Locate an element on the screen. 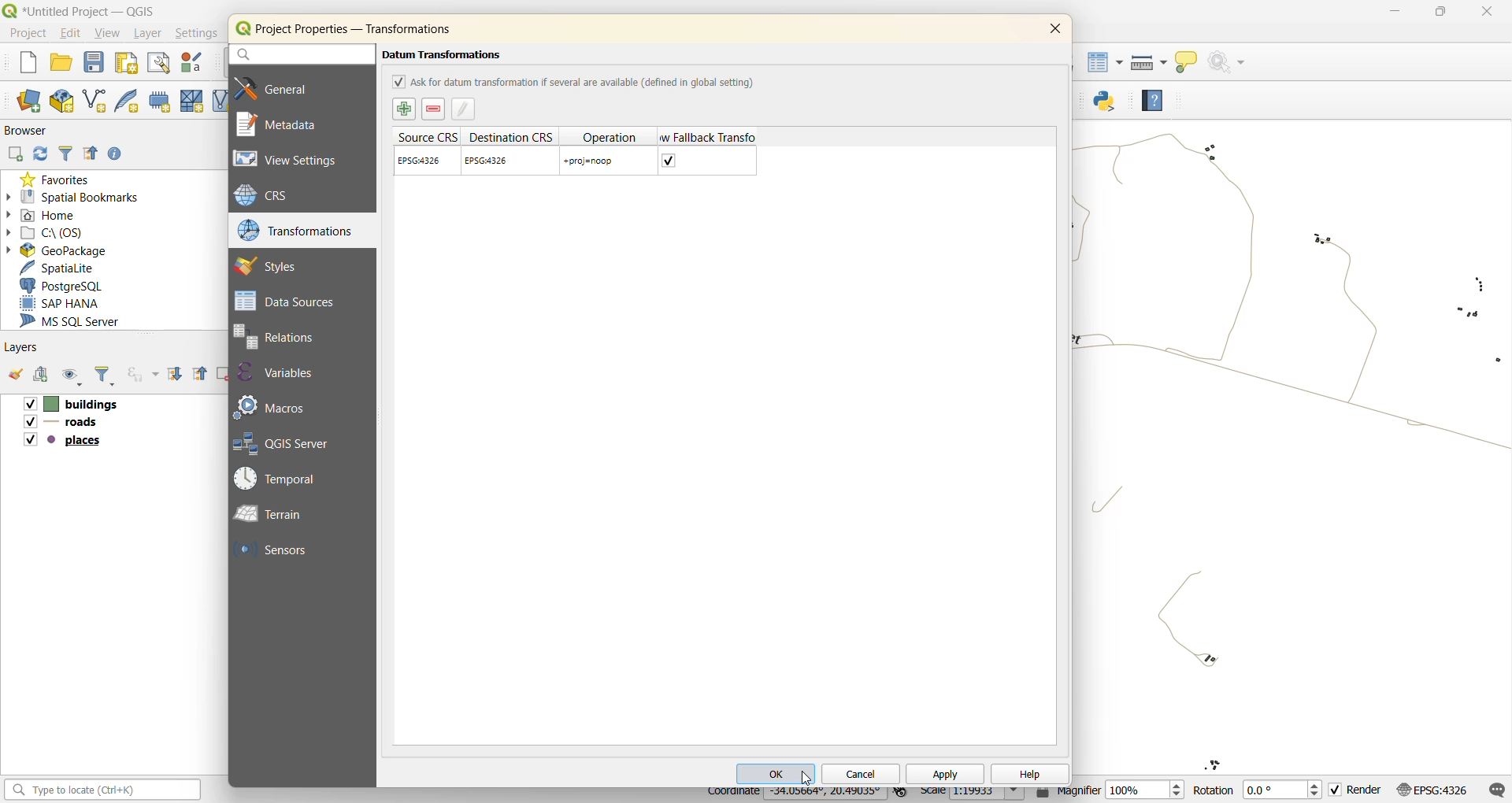  enable properties is located at coordinates (117, 154).